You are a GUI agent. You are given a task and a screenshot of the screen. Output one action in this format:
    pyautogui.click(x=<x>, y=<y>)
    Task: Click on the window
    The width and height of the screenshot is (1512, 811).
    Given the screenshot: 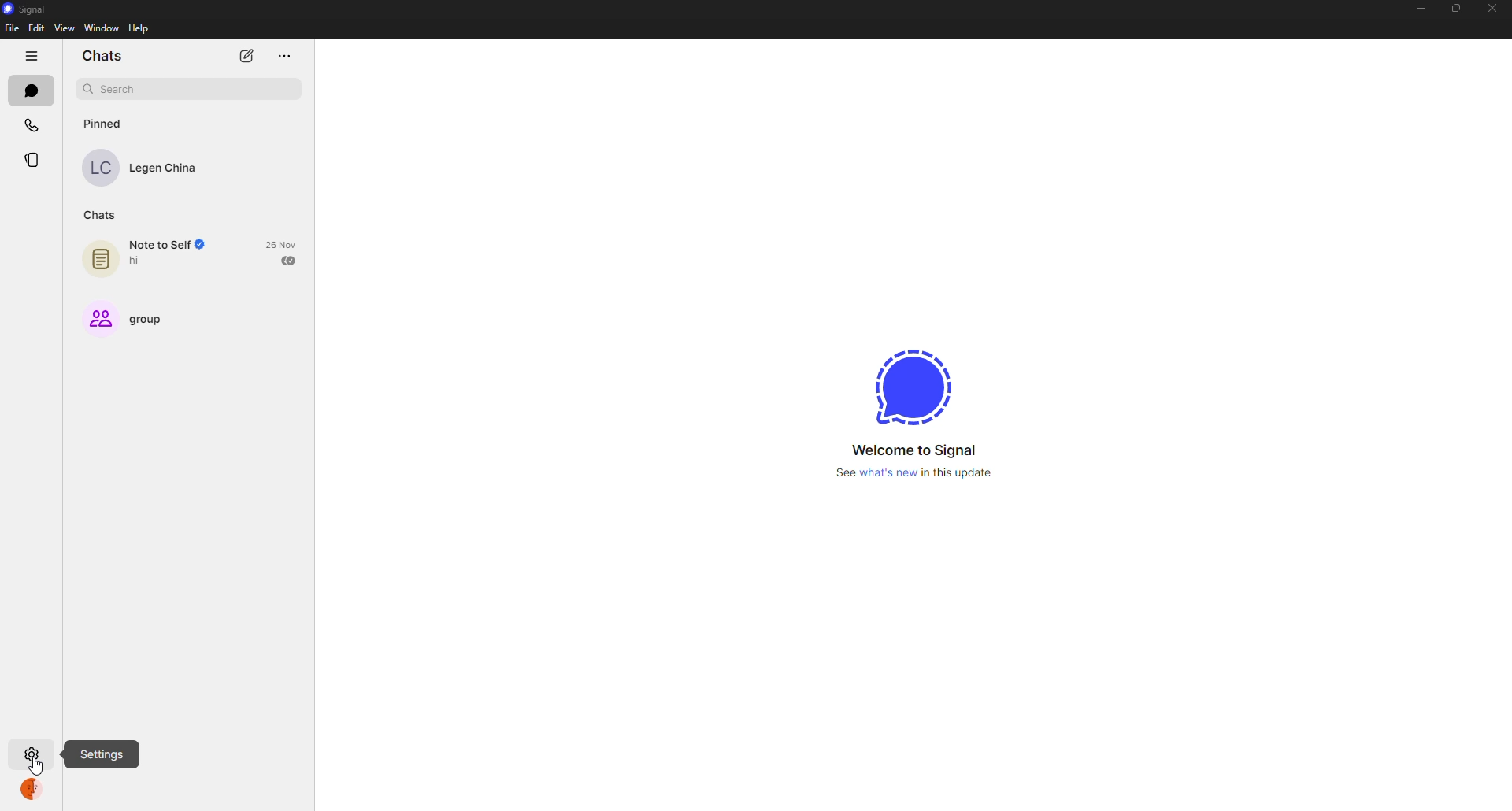 What is the action you would take?
    pyautogui.click(x=100, y=28)
    